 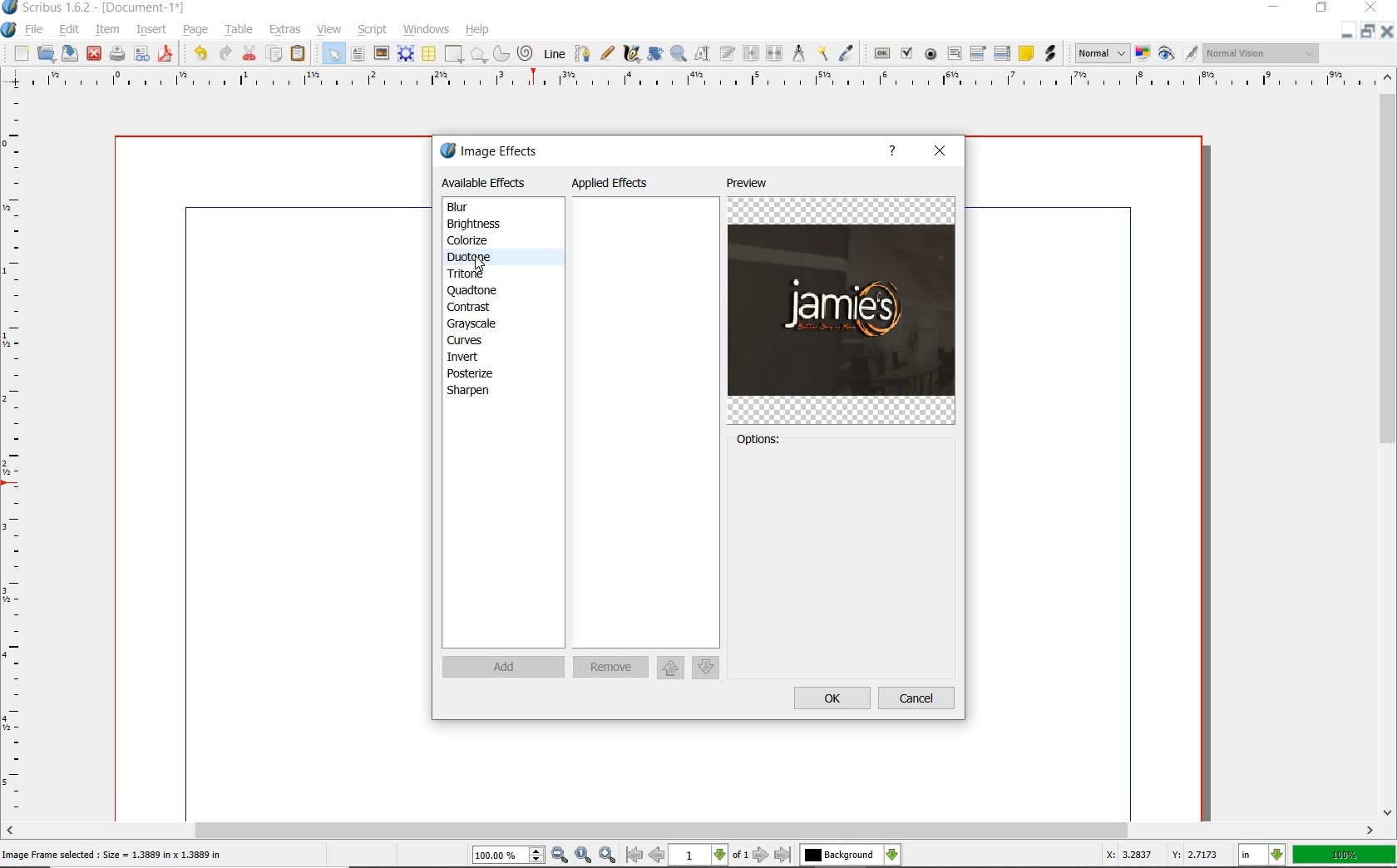 I want to click on LINE, so click(x=555, y=55).